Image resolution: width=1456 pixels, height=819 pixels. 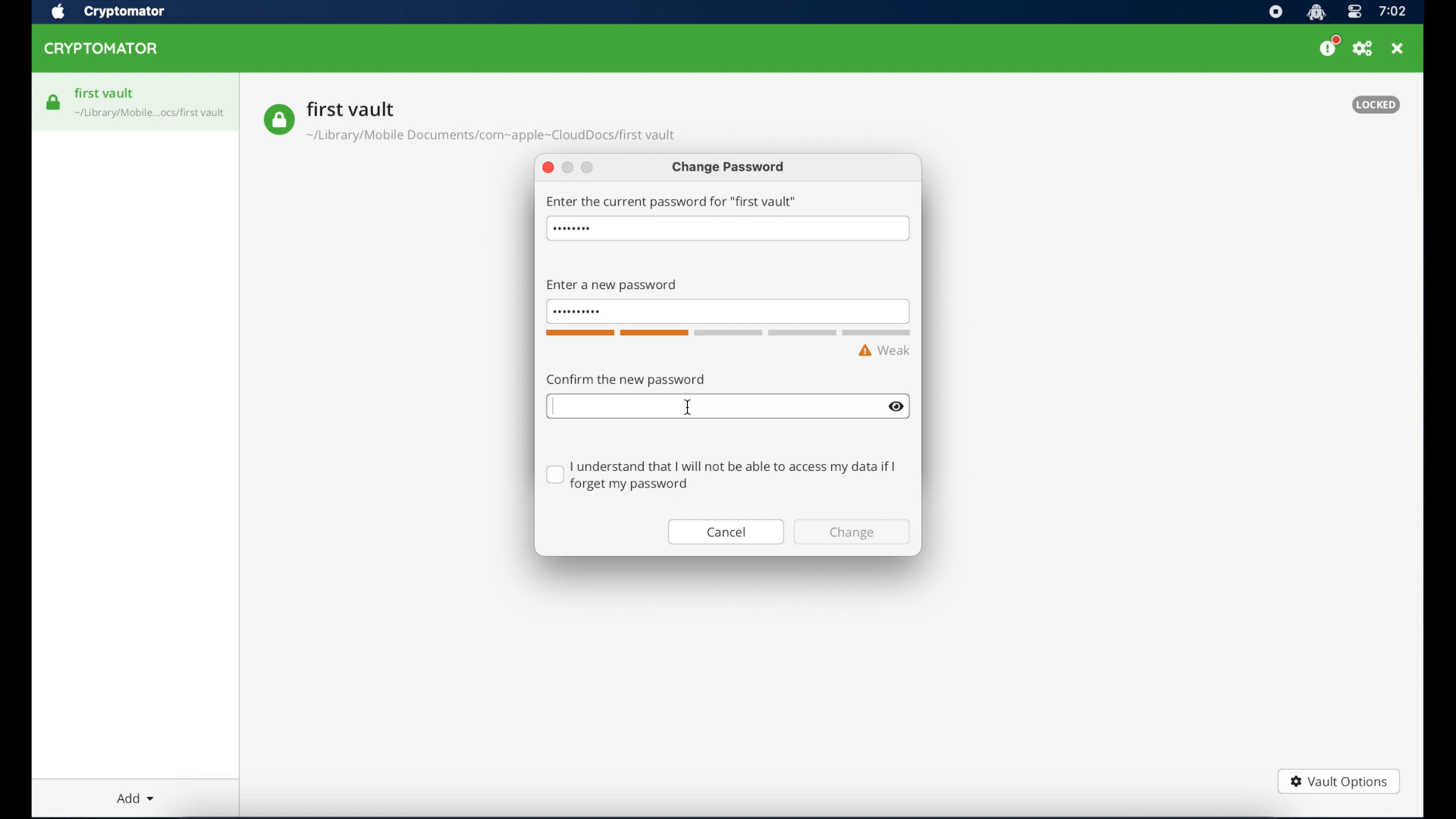 I want to click on cancel, so click(x=726, y=532).